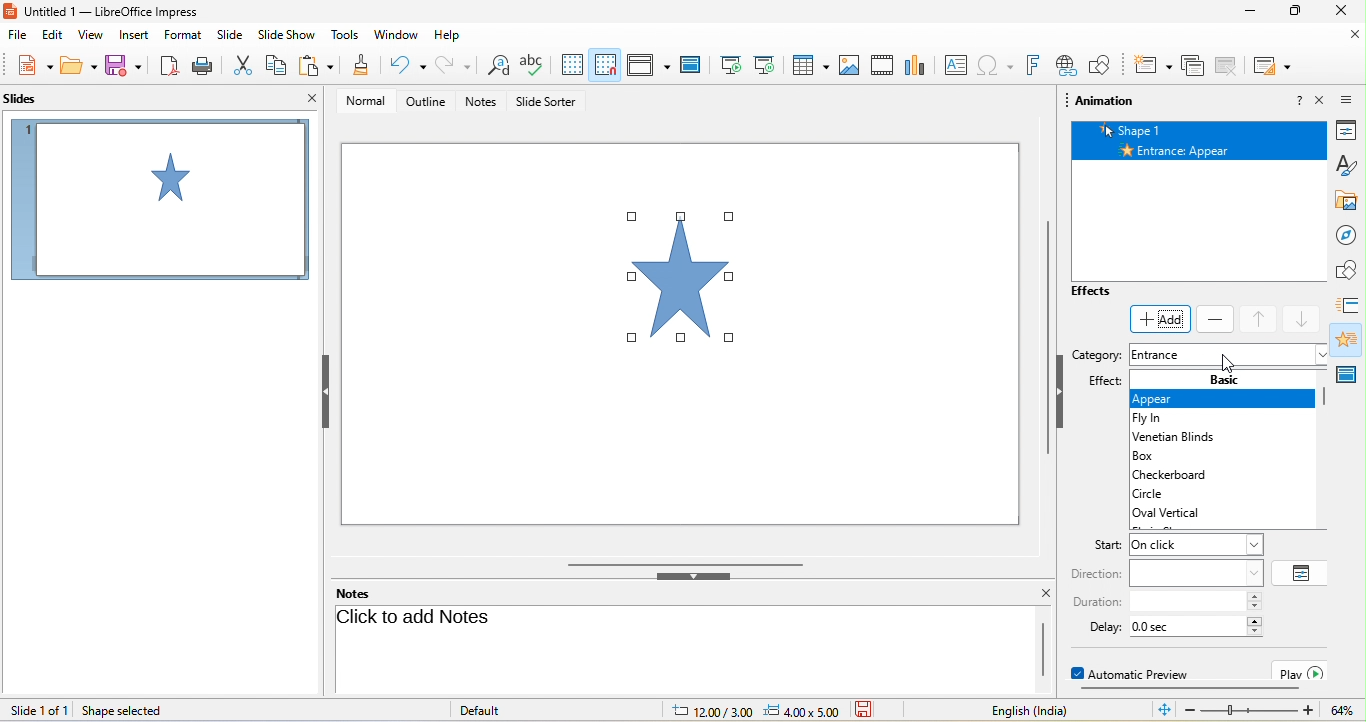 The height and width of the screenshot is (722, 1366). Describe the element at coordinates (33, 65) in the screenshot. I see `new` at that location.